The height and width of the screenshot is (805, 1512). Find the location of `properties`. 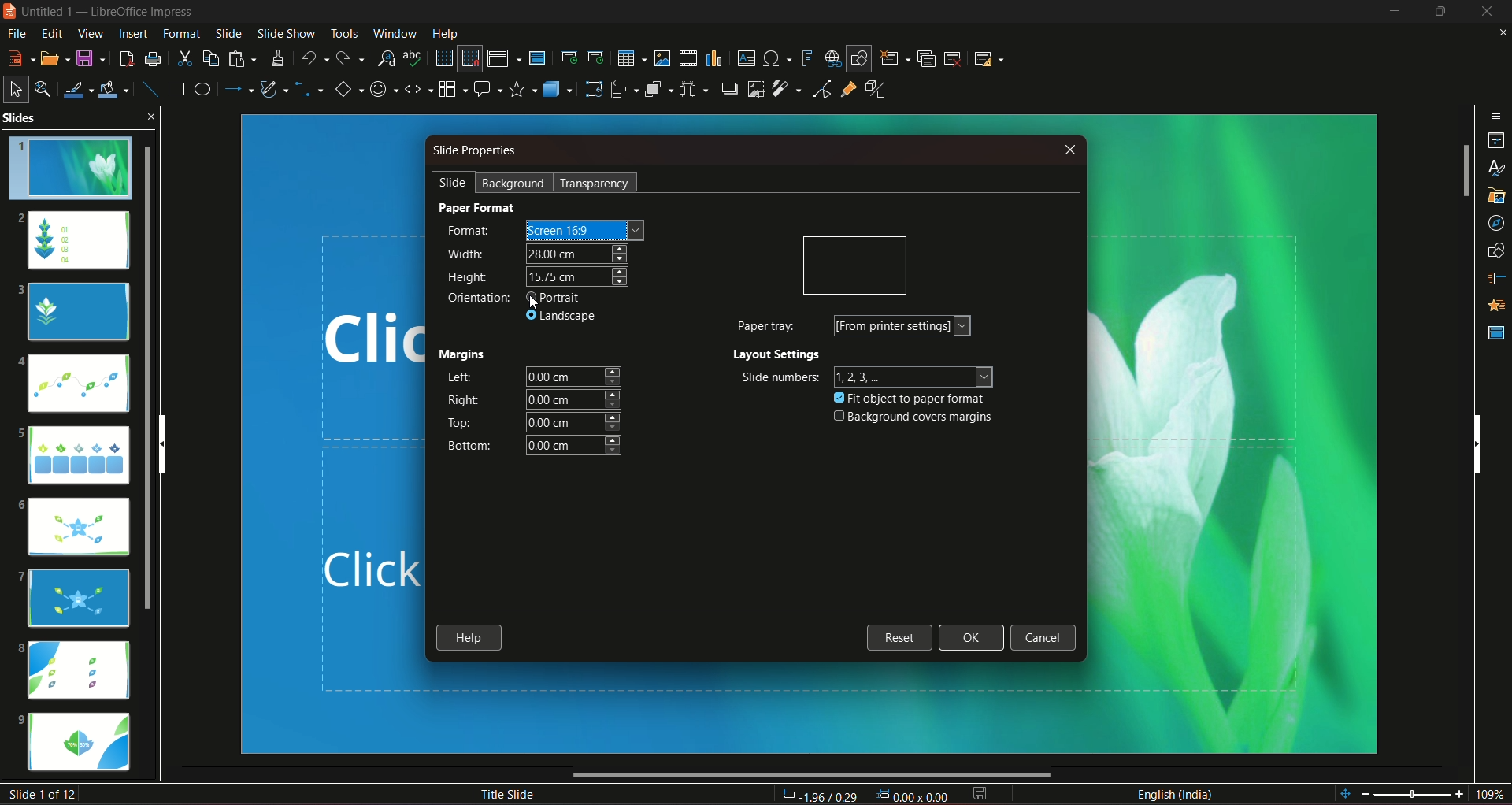

properties is located at coordinates (1495, 139).